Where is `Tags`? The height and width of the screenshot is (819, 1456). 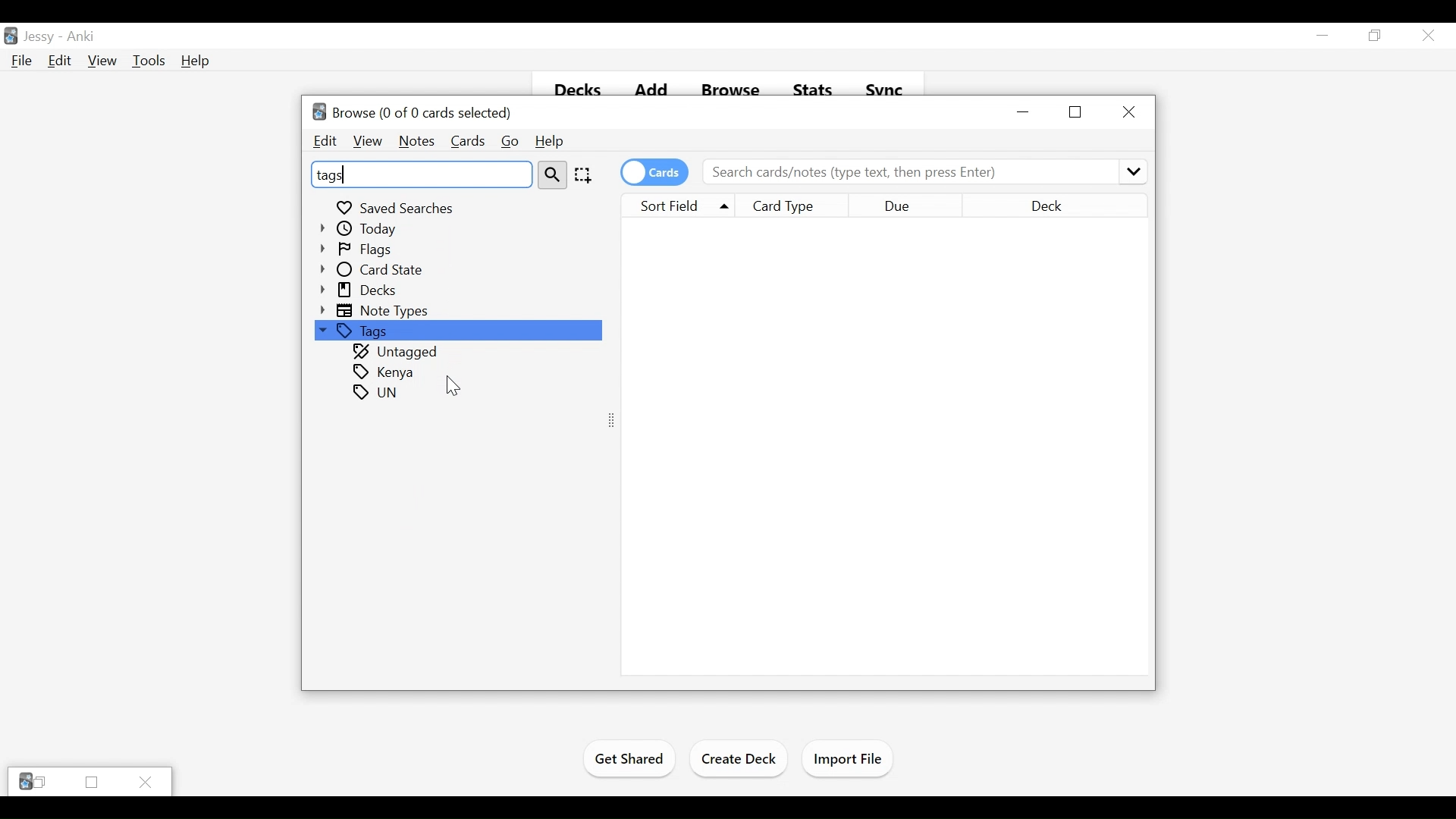 Tags is located at coordinates (457, 331).